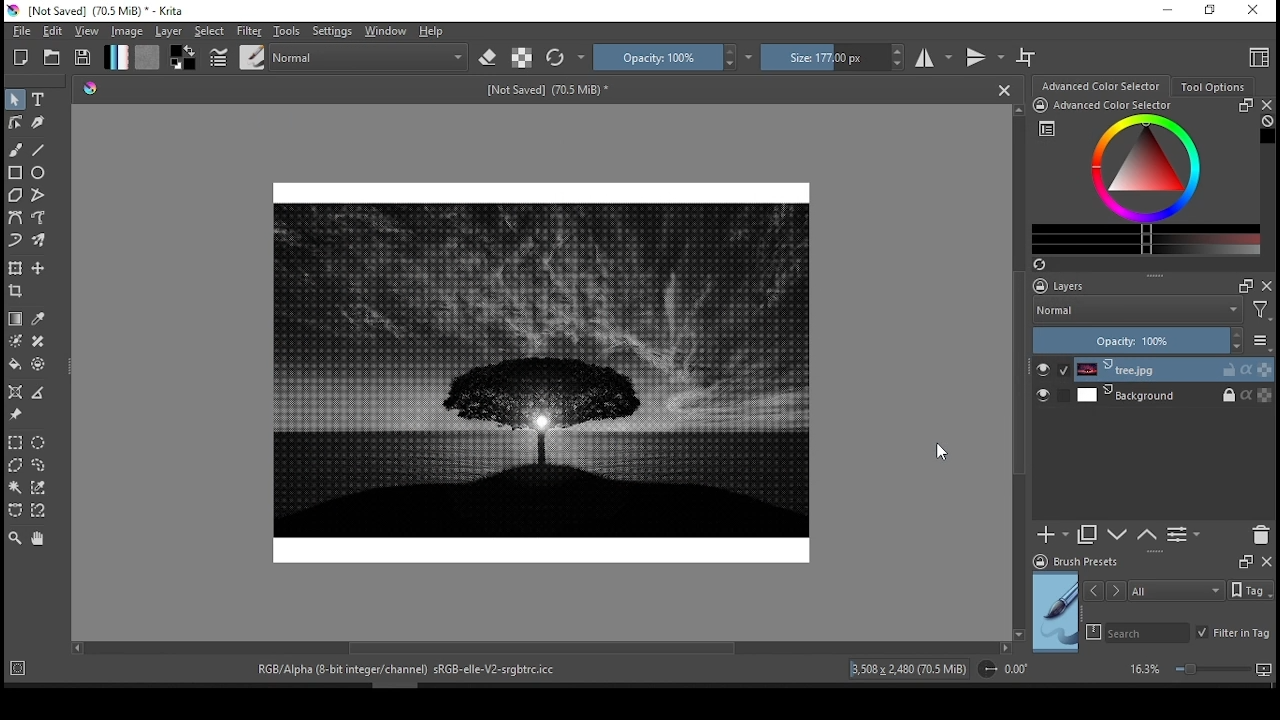 Image resolution: width=1280 pixels, height=720 pixels. I want to click on color selection wheel, so click(1102, 85).